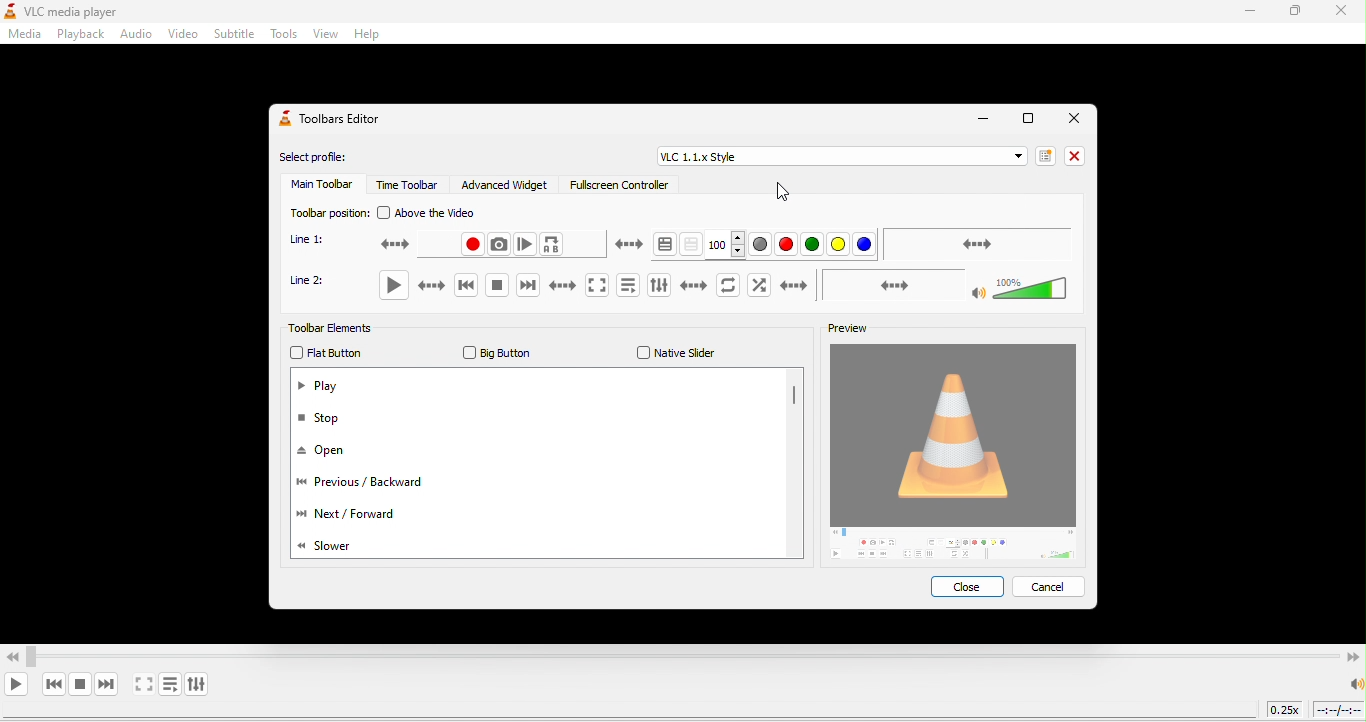 Image resolution: width=1366 pixels, height=722 pixels. What do you see at coordinates (671, 353) in the screenshot?
I see `native slider` at bounding box center [671, 353].